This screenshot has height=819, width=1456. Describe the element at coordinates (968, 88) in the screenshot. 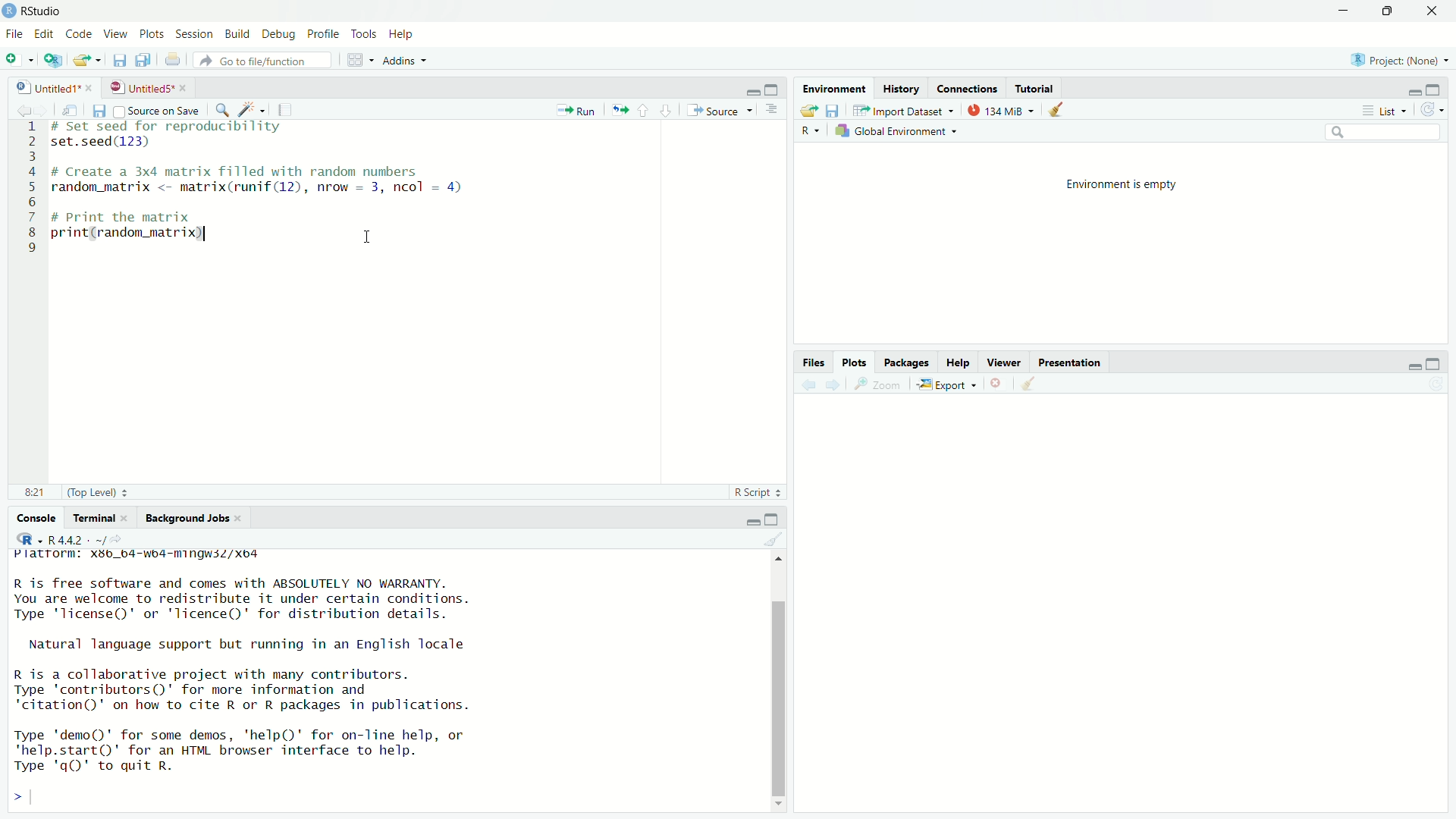

I see `Connections` at that location.